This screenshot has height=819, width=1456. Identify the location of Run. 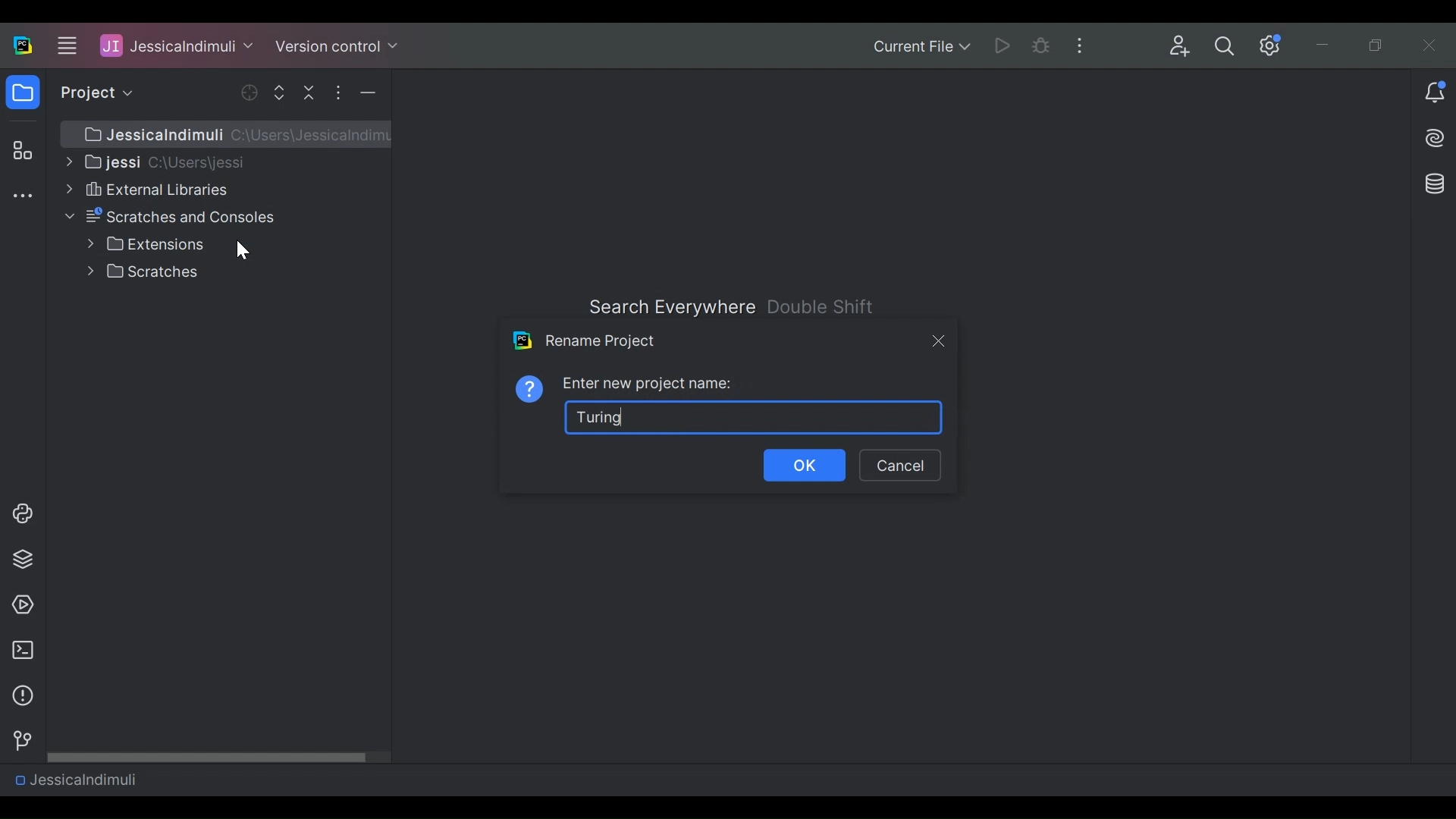
(1005, 45).